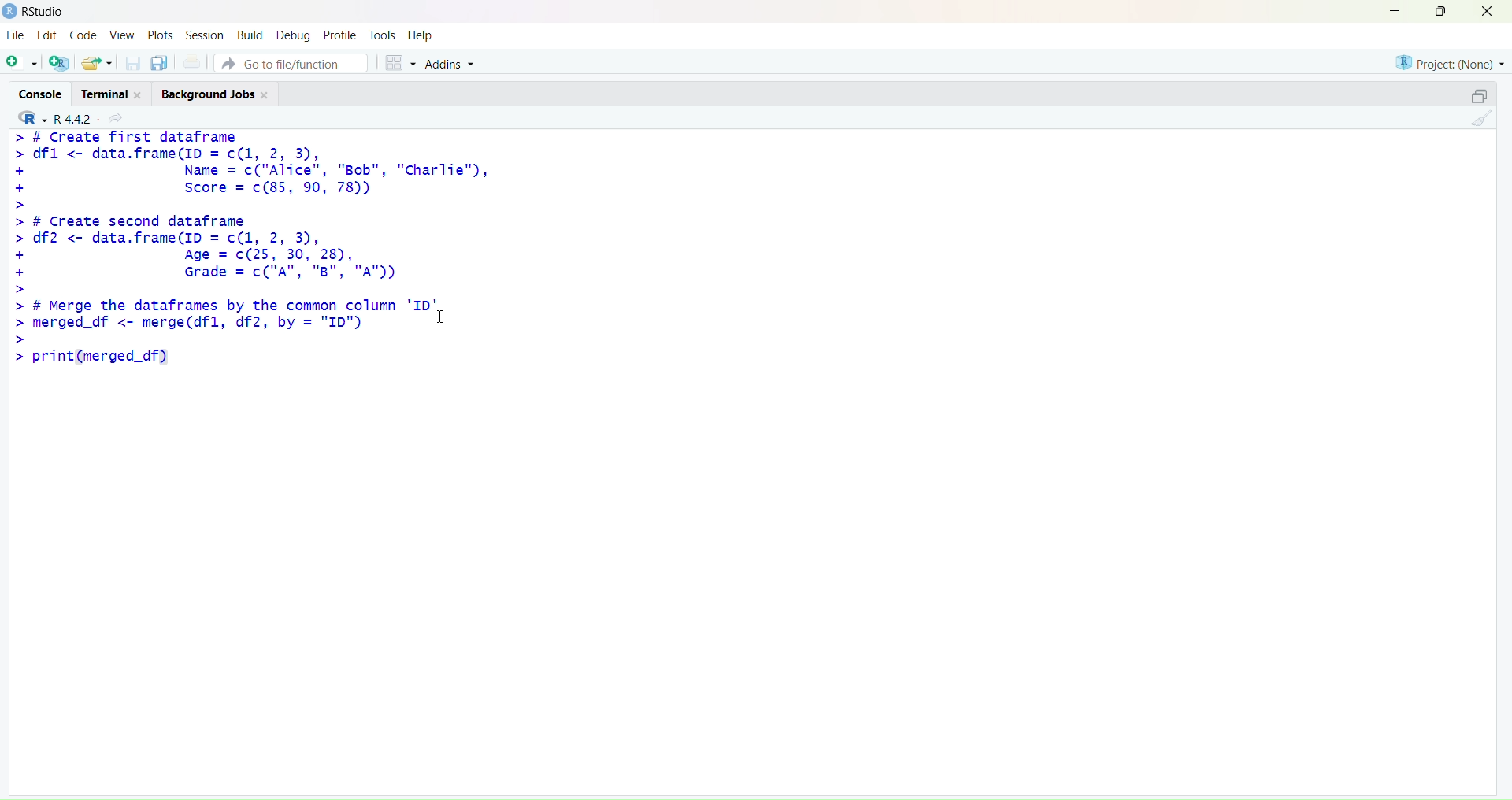  What do you see at coordinates (1451, 62) in the screenshot?
I see `Project: (None)` at bounding box center [1451, 62].